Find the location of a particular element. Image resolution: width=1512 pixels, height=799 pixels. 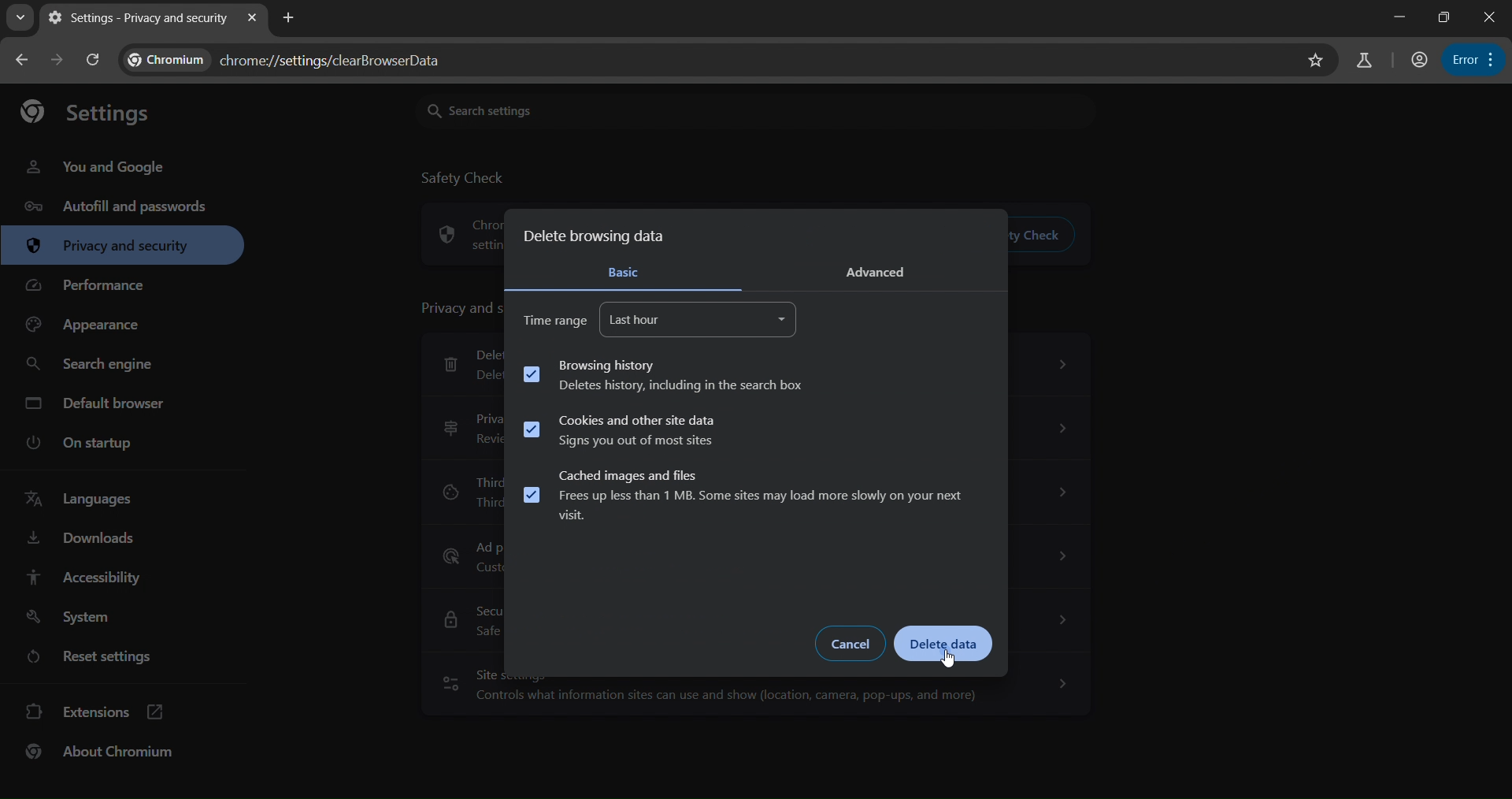

performance is located at coordinates (91, 284).